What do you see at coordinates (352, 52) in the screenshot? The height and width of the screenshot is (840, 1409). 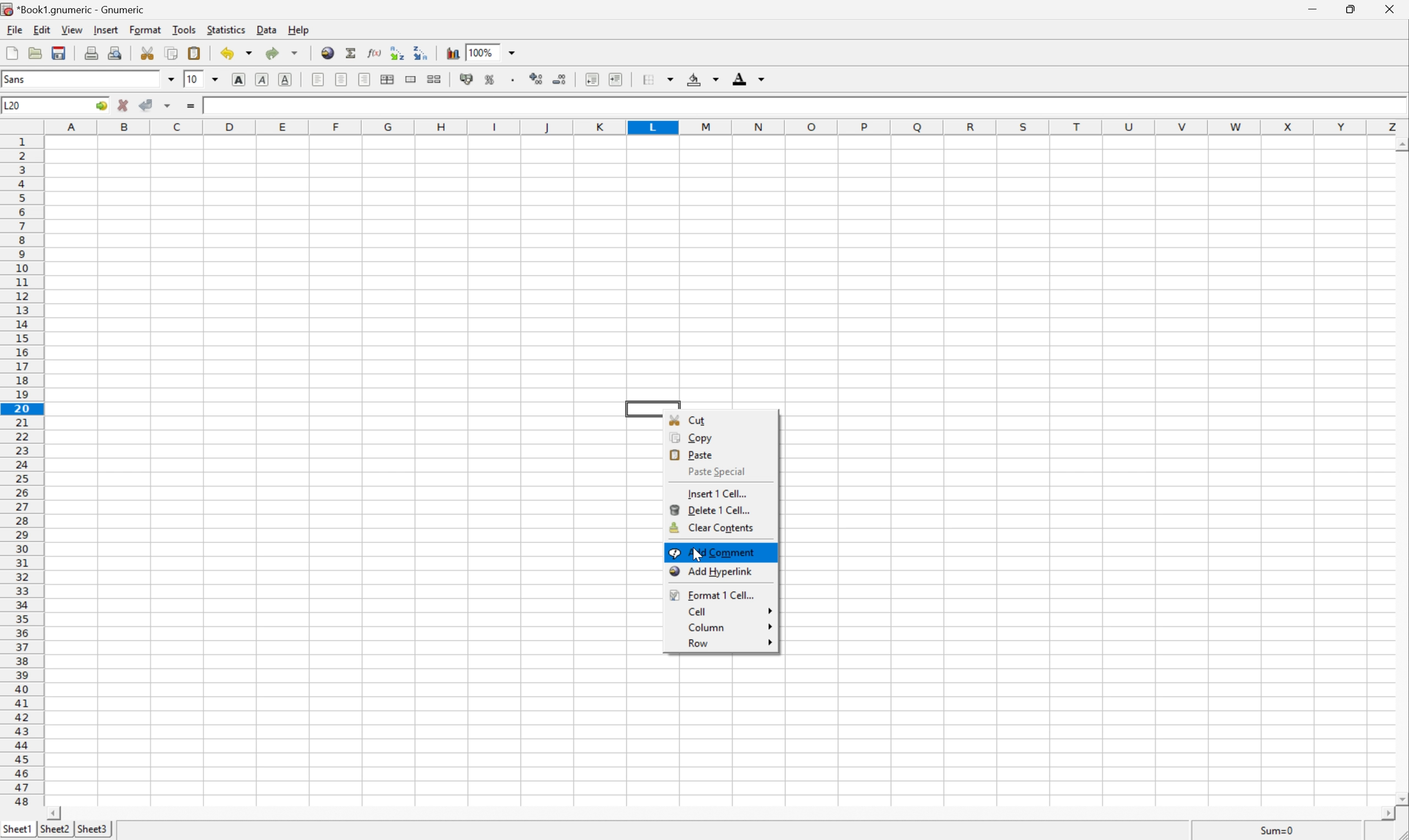 I see `Sum in current cell` at bounding box center [352, 52].